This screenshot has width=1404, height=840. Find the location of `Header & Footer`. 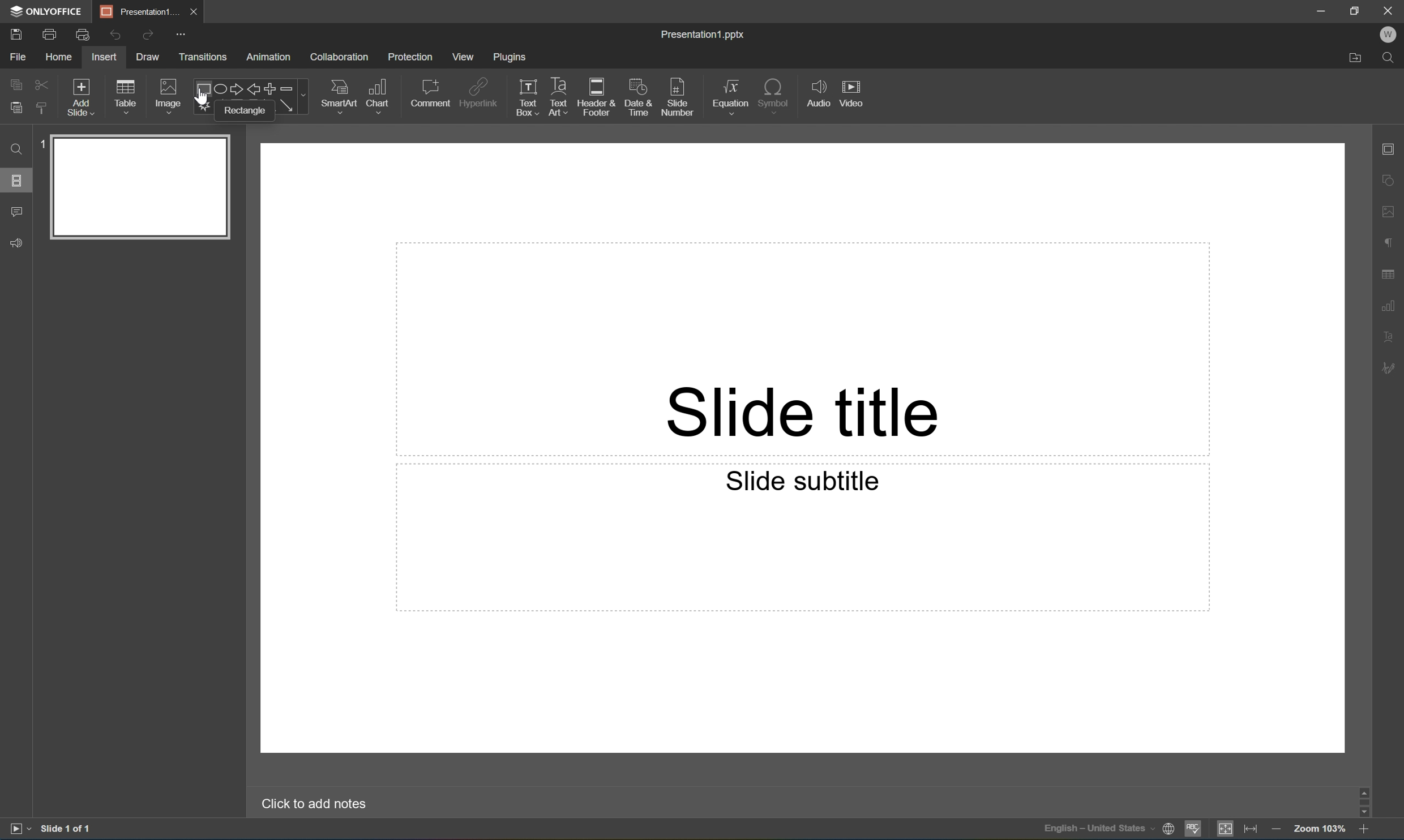

Header & Footer is located at coordinates (596, 97).